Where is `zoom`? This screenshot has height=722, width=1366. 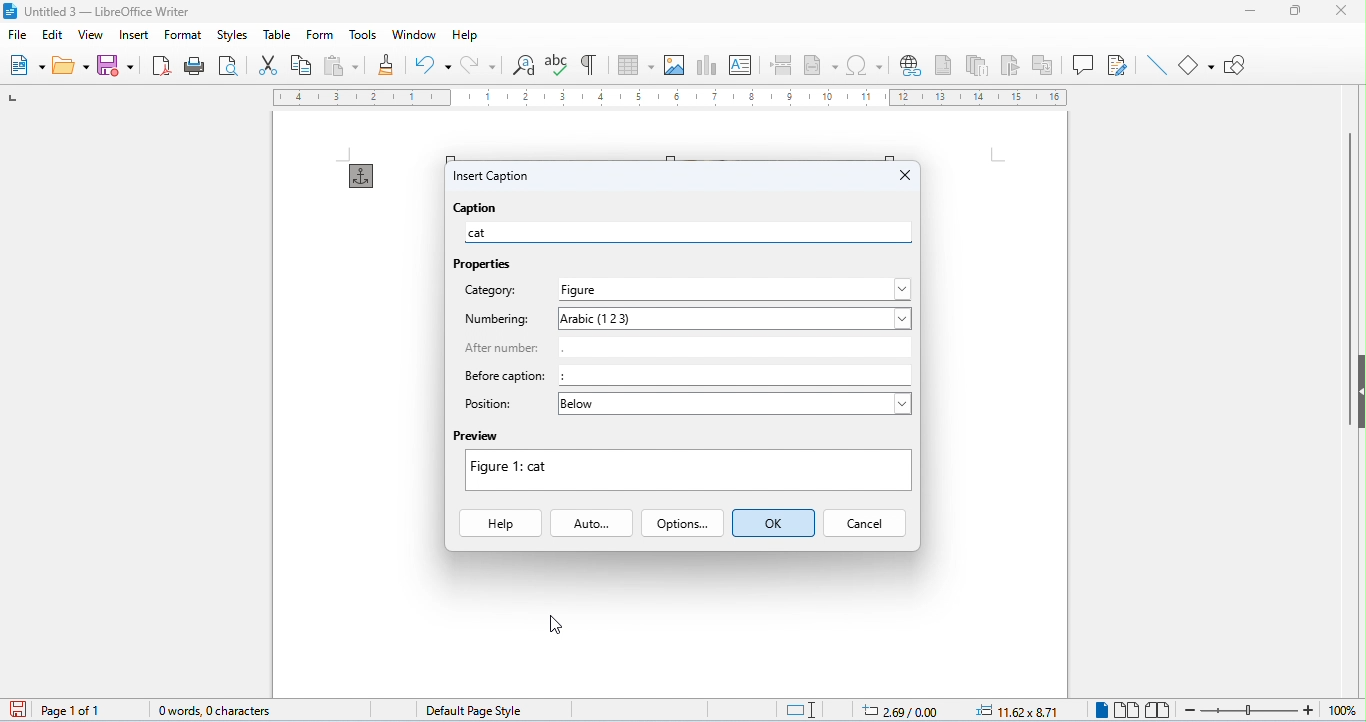
zoom is located at coordinates (1265, 709).